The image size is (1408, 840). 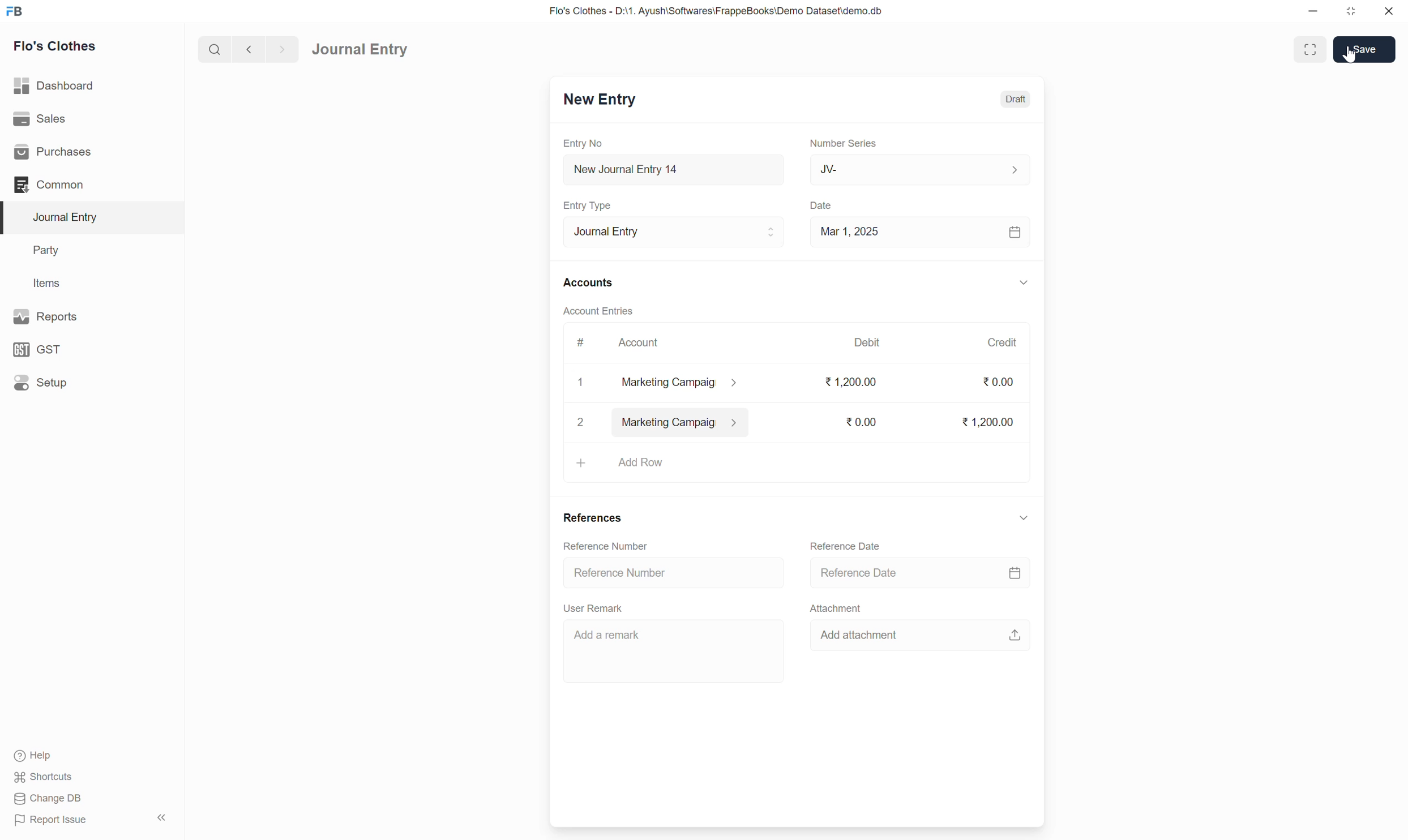 I want to click on GST, so click(x=39, y=350).